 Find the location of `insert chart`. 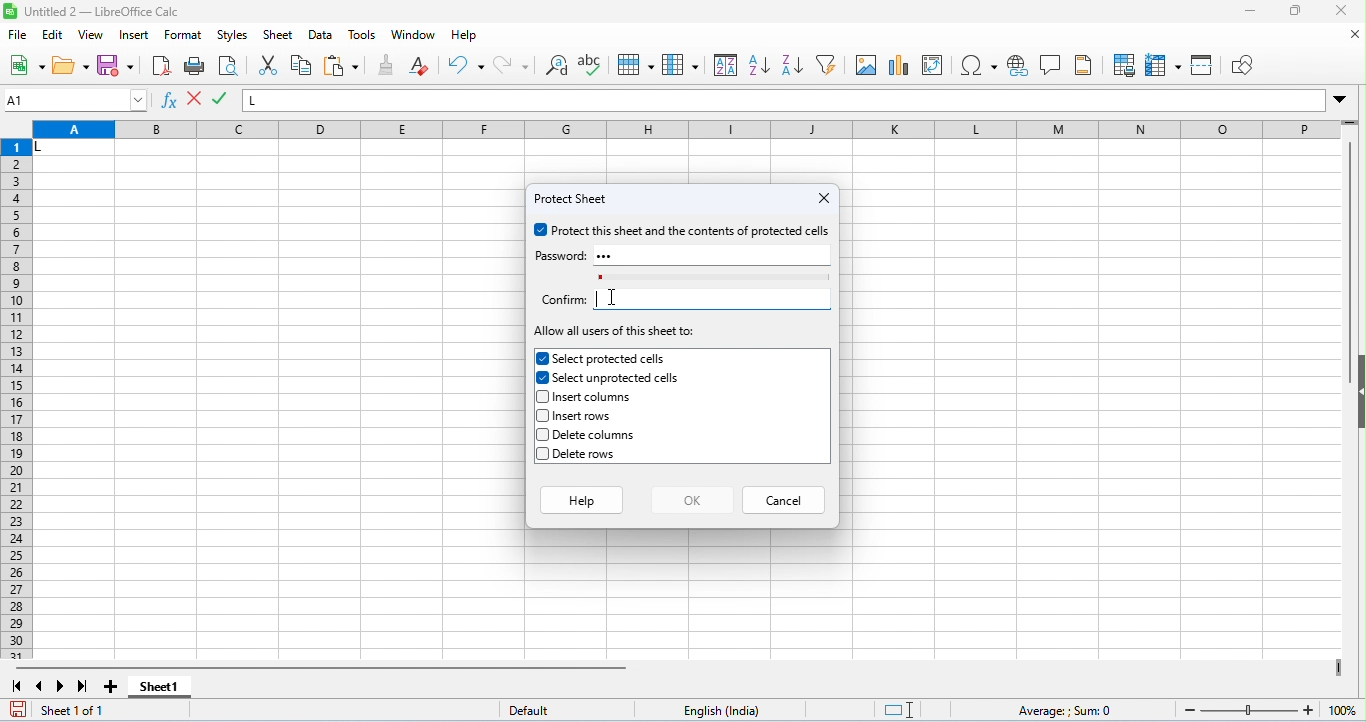

insert chart is located at coordinates (900, 67).